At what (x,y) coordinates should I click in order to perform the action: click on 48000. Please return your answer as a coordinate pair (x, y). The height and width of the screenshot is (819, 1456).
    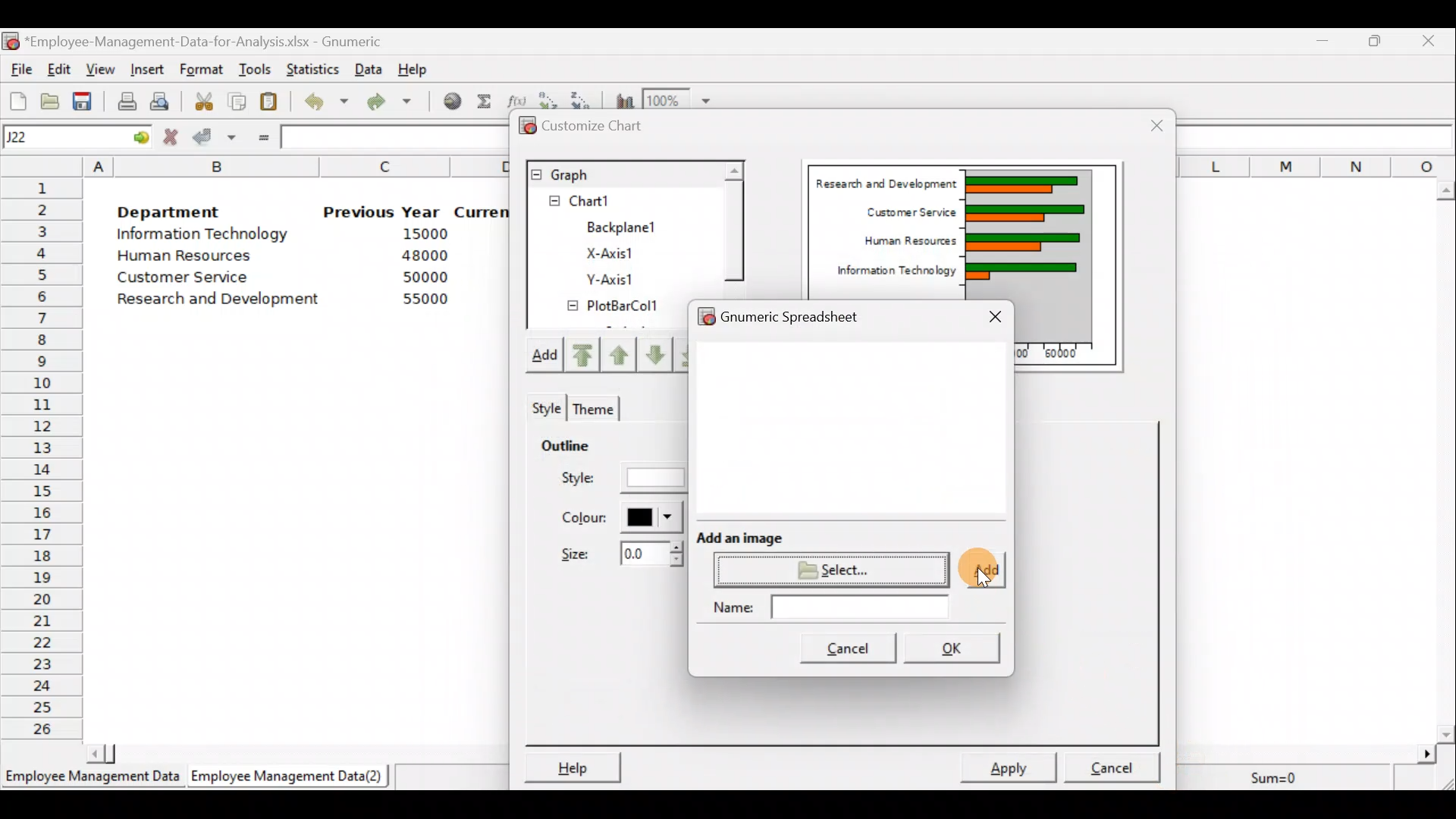
    Looking at the image, I should click on (424, 257).